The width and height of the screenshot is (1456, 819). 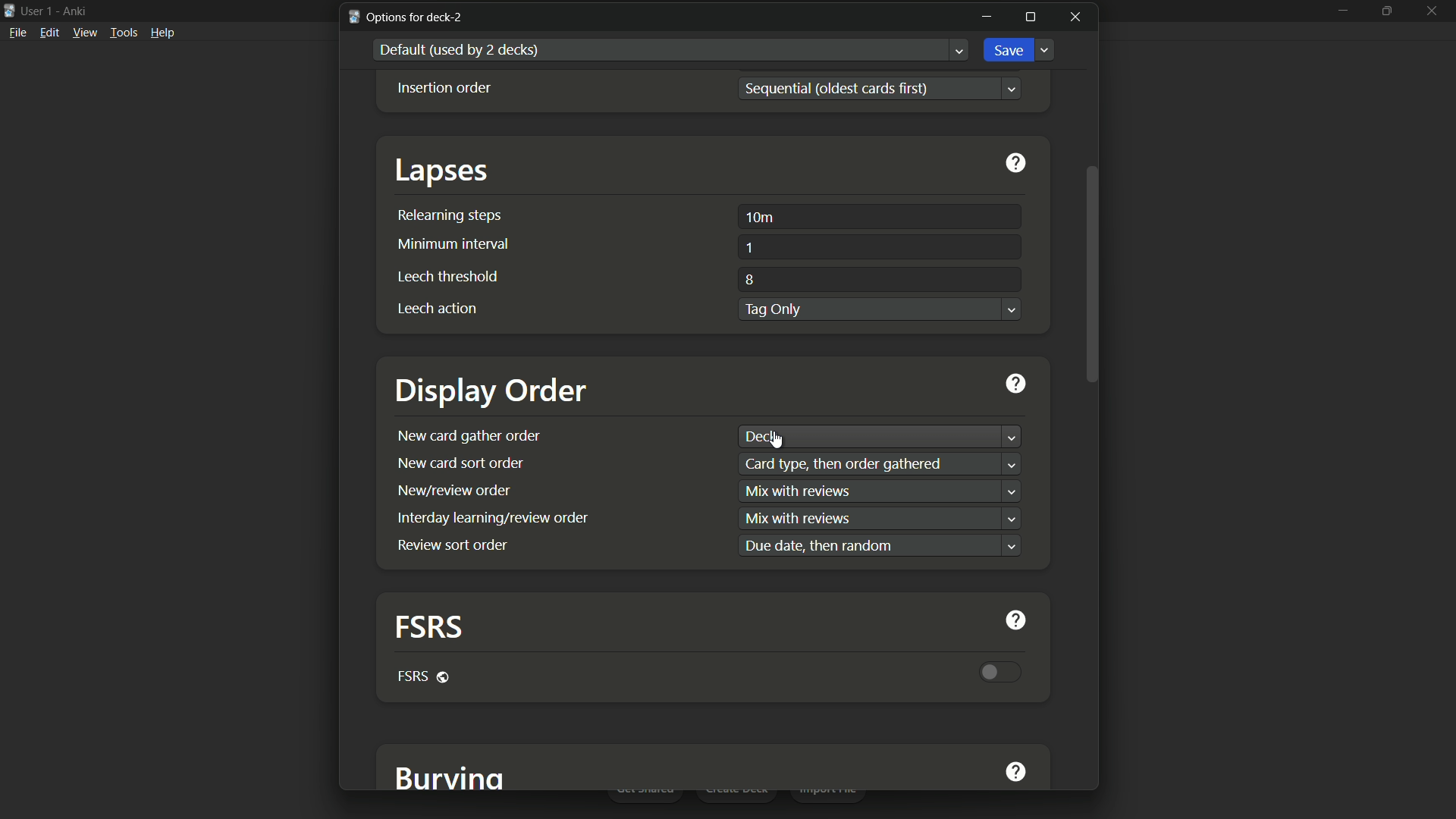 I want to click on new card sort order, so click(x=460, y=463).